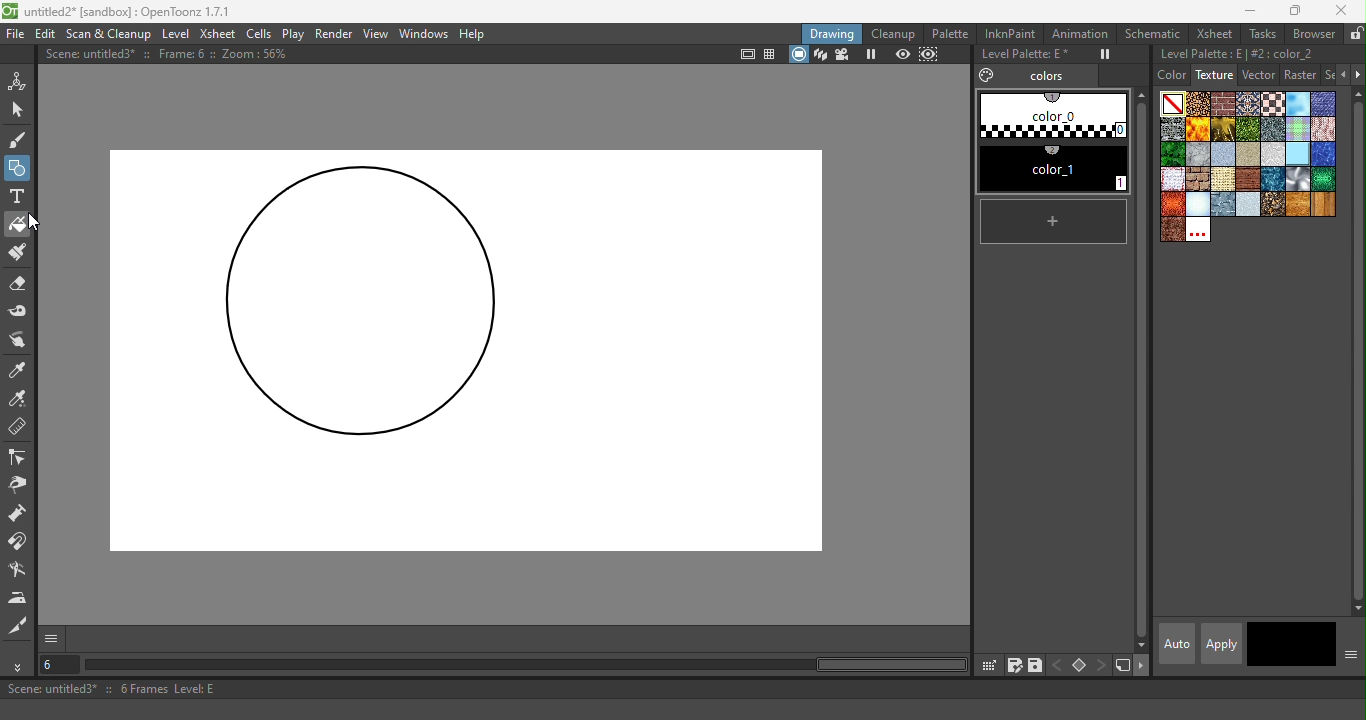  I want to click on Select the current frame, so click(61, 666).